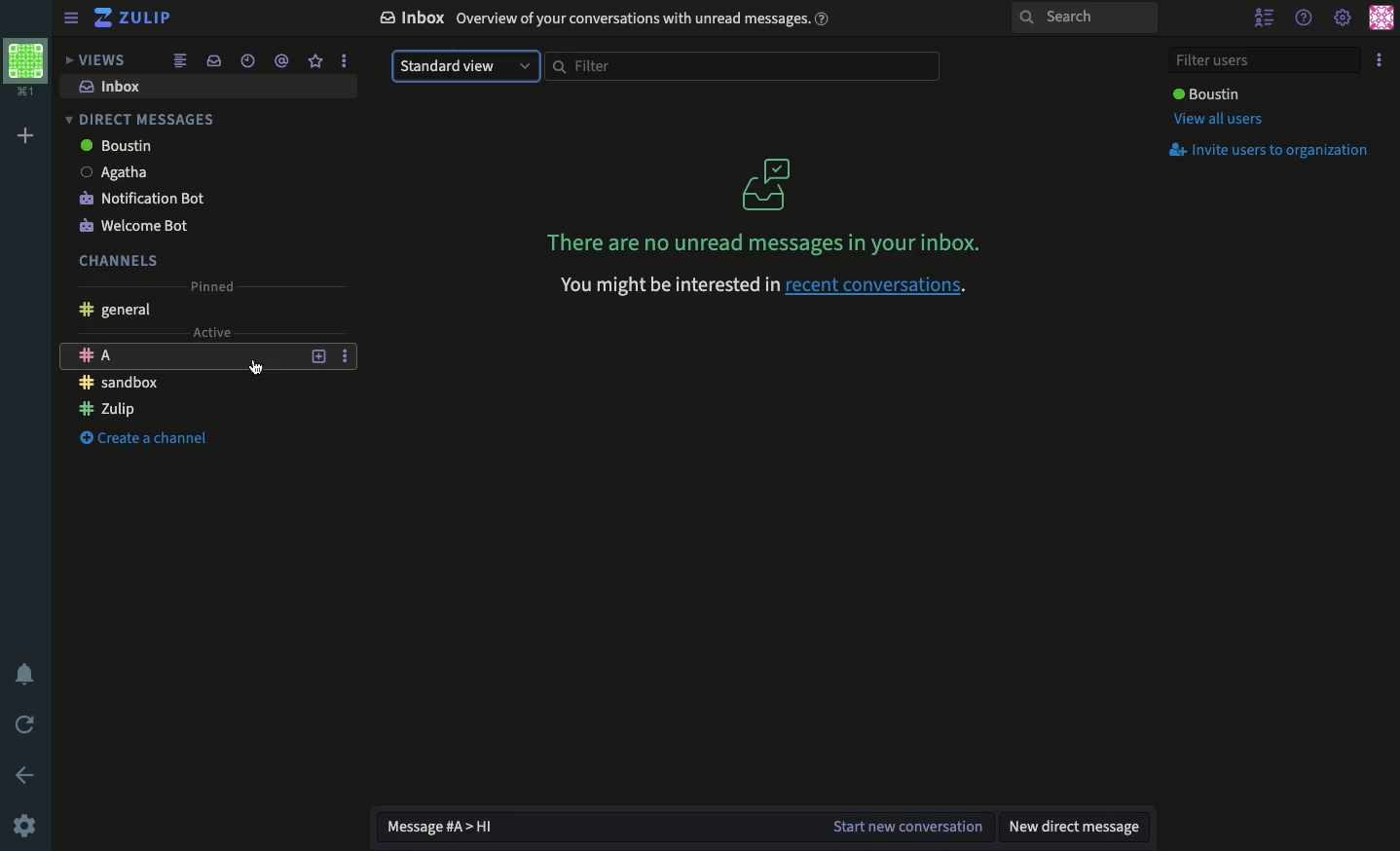  What do you see at coordinates (667, 285) in the screenshot?
I see `You might be interested in` at bounding box center [667, 285].